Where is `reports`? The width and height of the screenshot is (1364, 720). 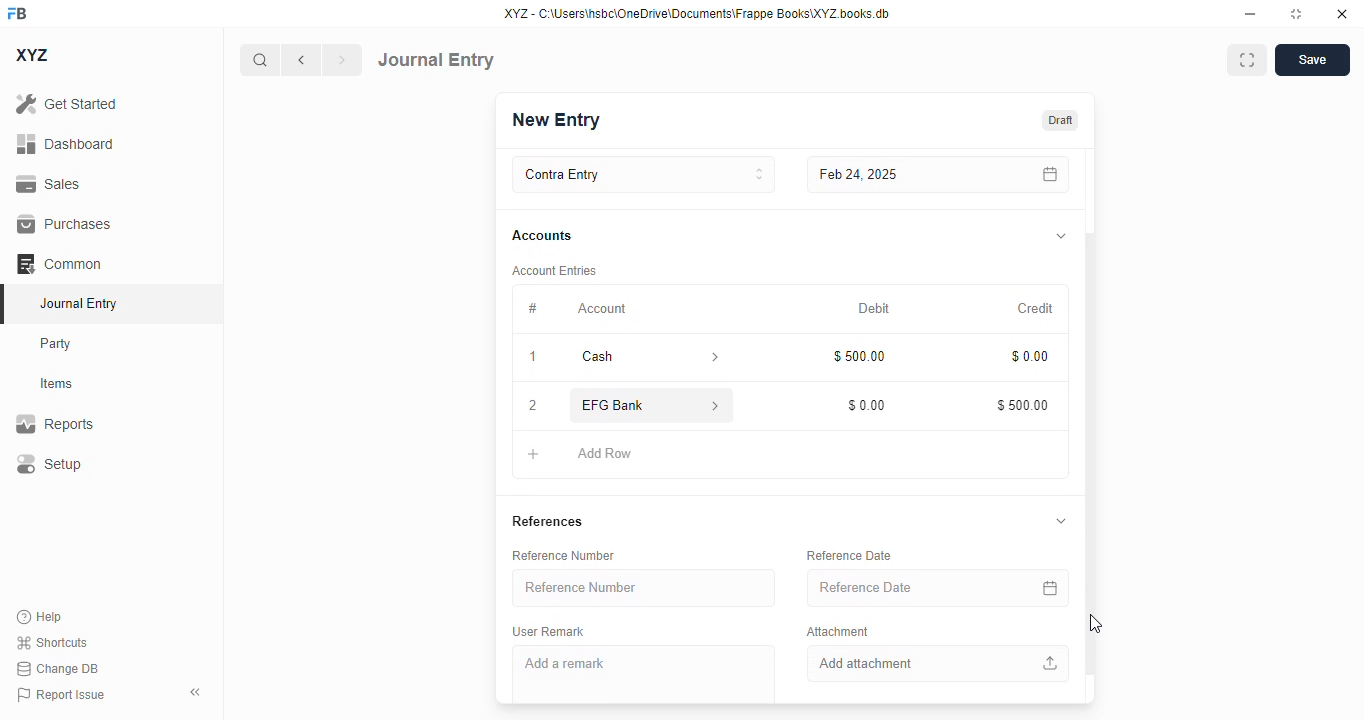 reports is located at coordinates (55, 423).